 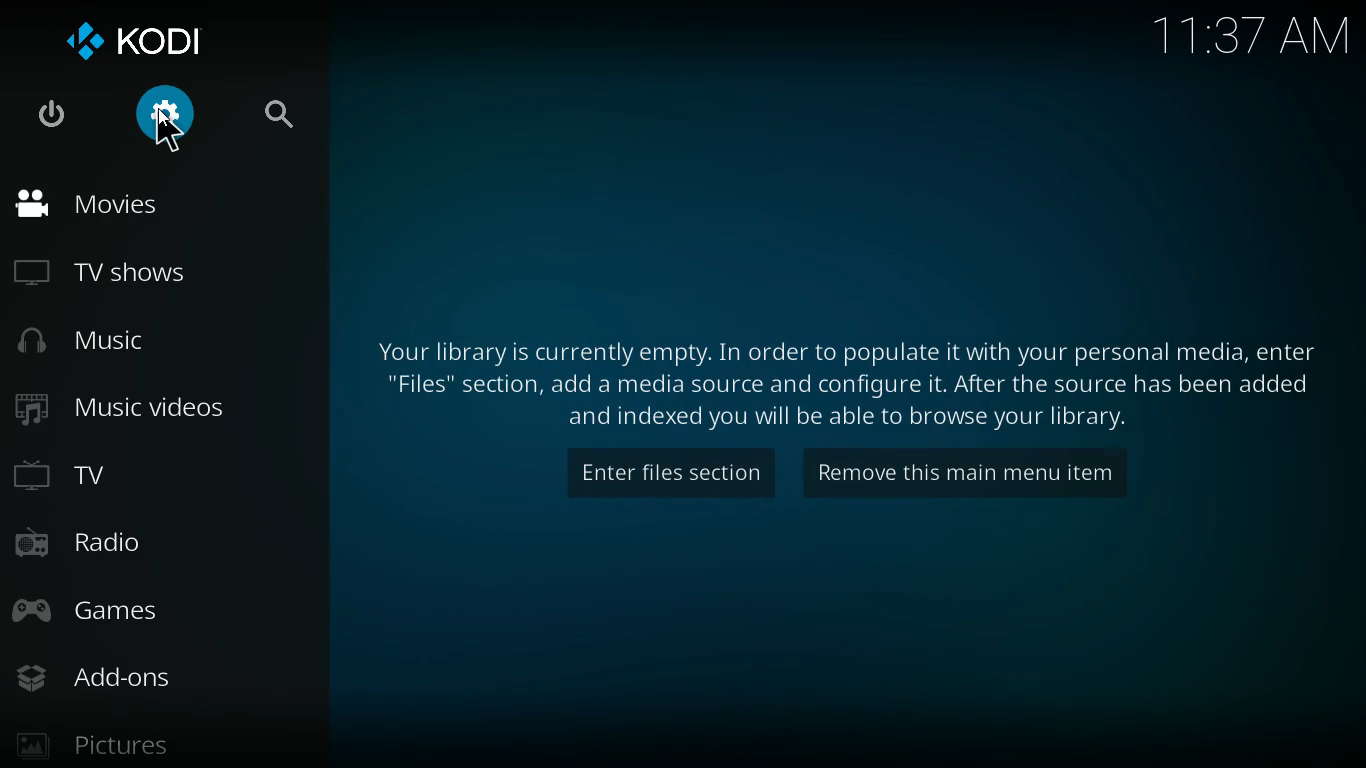 What do you see at coordinates (121, 681) in the screenshot?
I see `add-ons` at bounding box center [121, 681].